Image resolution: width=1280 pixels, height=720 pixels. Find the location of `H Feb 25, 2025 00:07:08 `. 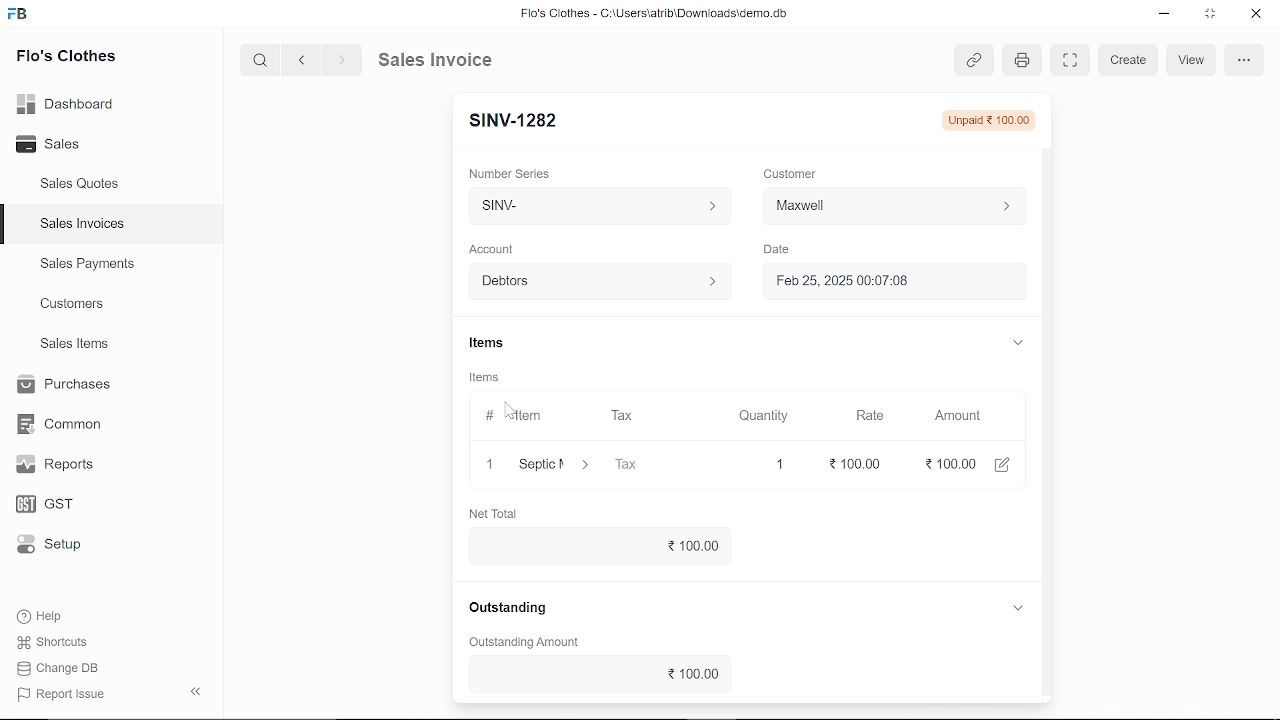

H Feb 25, 2025 00:07:08  is located at coordinates (876, 282).